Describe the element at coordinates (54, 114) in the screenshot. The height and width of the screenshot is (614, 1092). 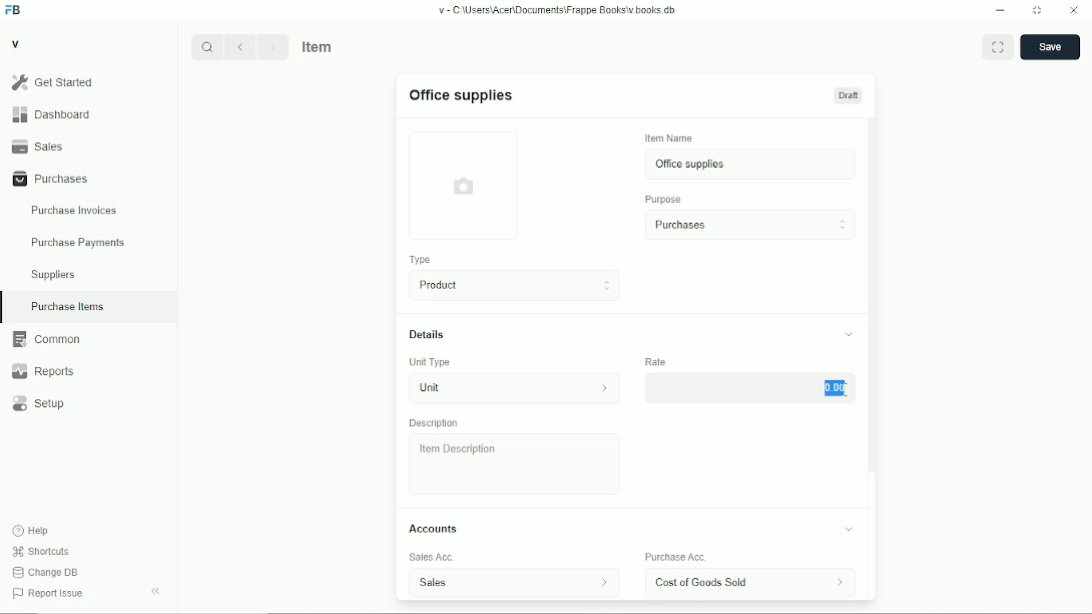
I see `dashboard` at that location.